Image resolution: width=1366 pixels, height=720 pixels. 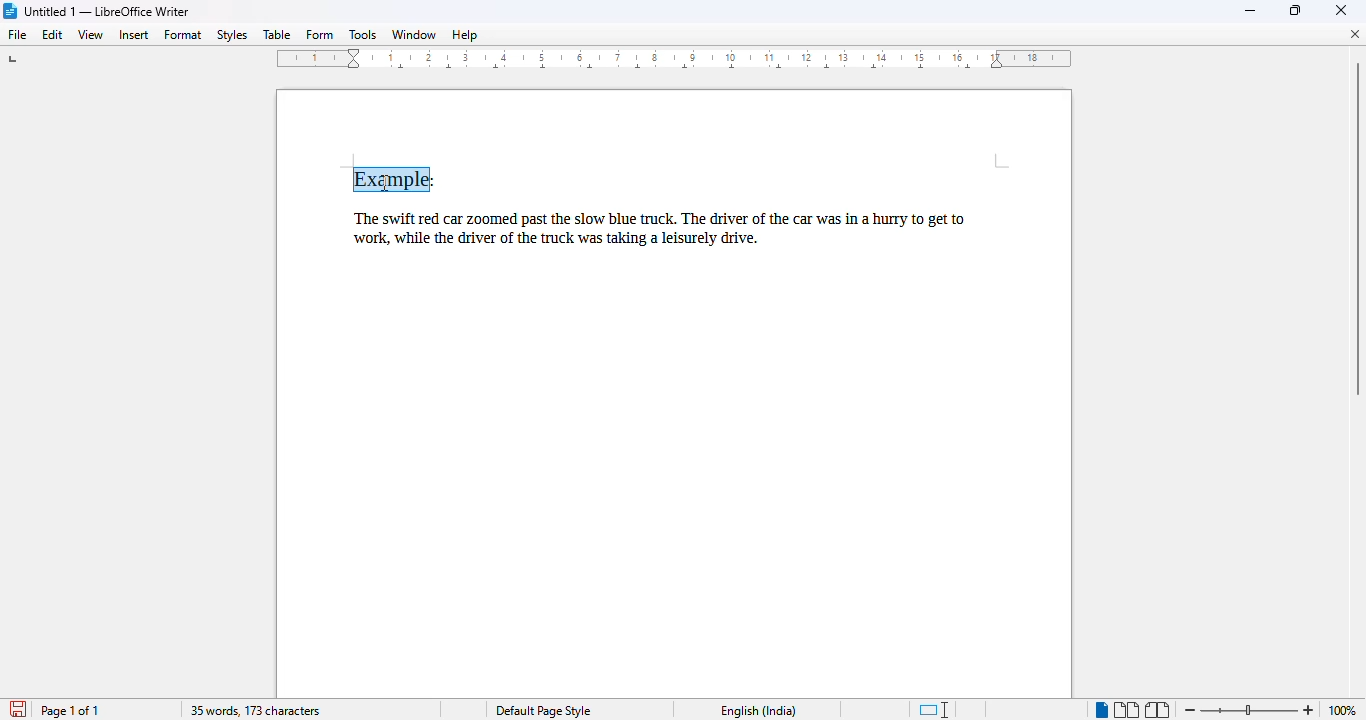 I want to click on window, so click(x=414, y=34).